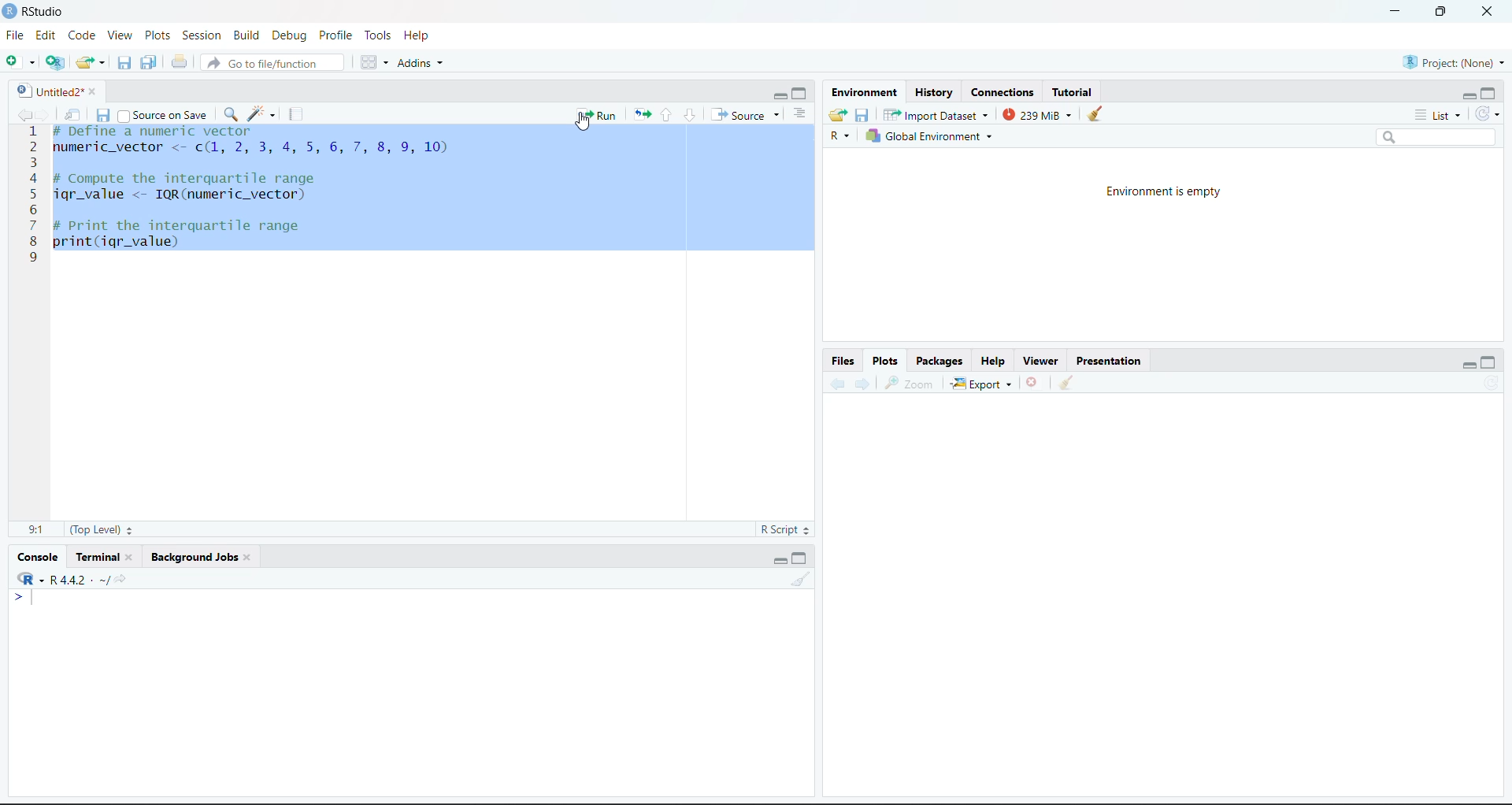 The width and height of the screenshot is (1512, 805). What do you see at coordinates (941, 361) in the screenshot?
I see `Packages` at bounding box center [941, 361].